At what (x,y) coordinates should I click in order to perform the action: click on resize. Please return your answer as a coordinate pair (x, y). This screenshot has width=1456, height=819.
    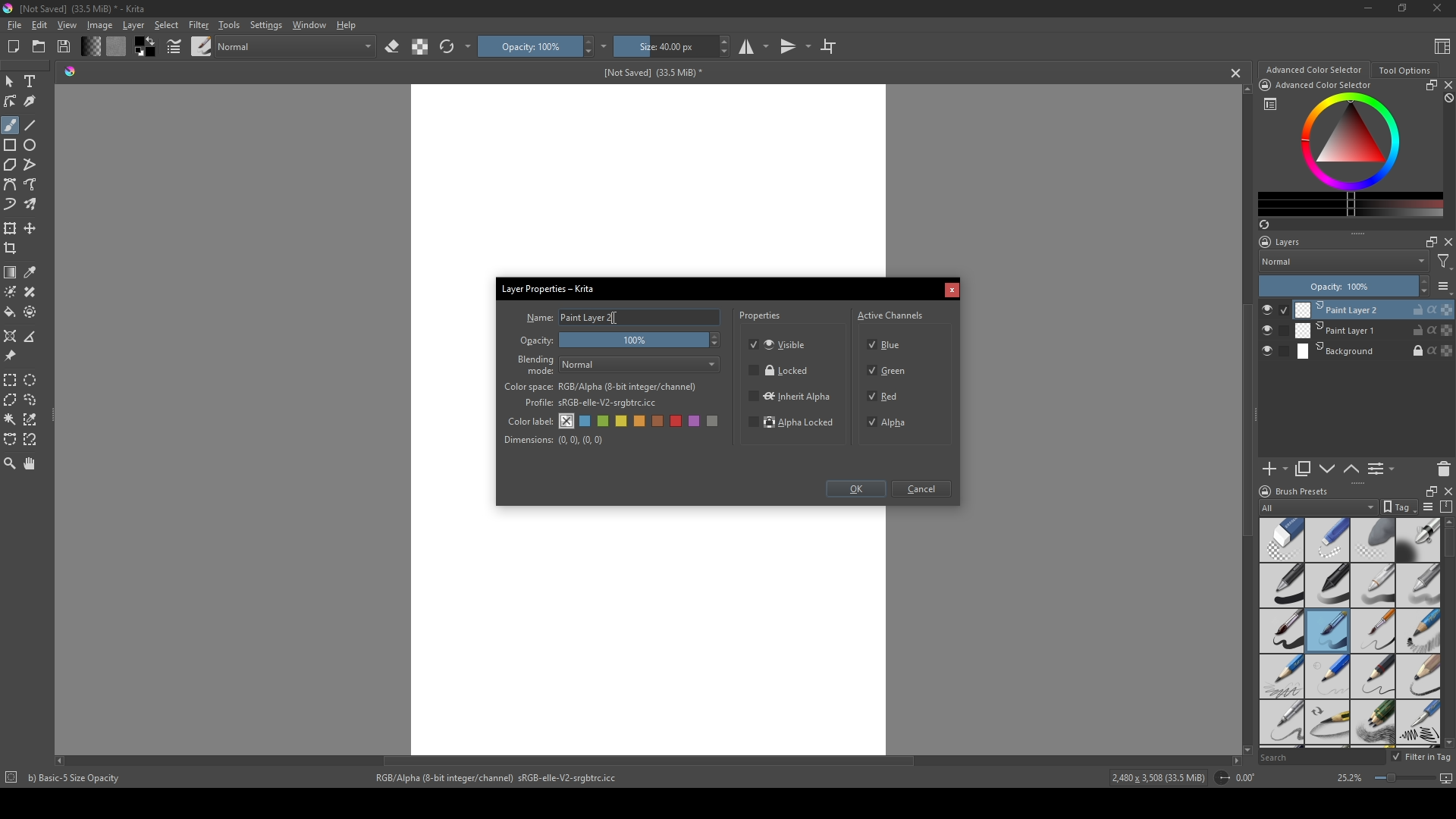
    Looking at the image, I should click on (1428, 490).